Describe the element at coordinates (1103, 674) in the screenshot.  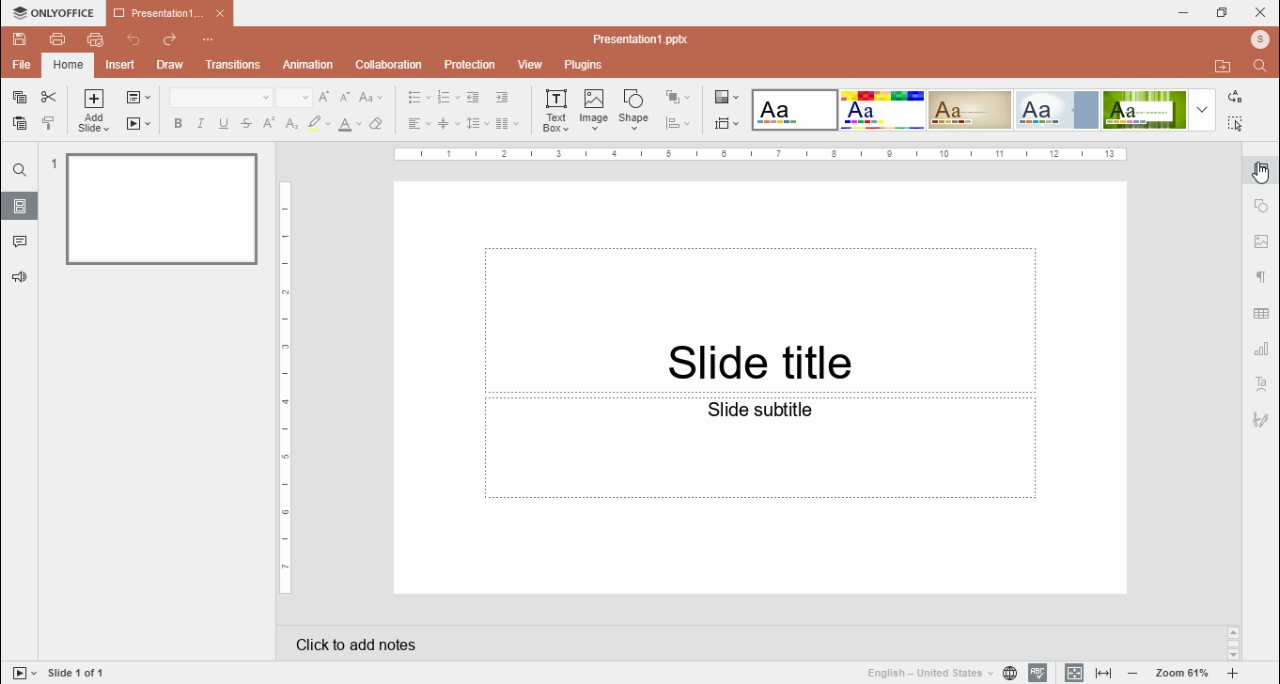
I see `fit to slide` at that location.